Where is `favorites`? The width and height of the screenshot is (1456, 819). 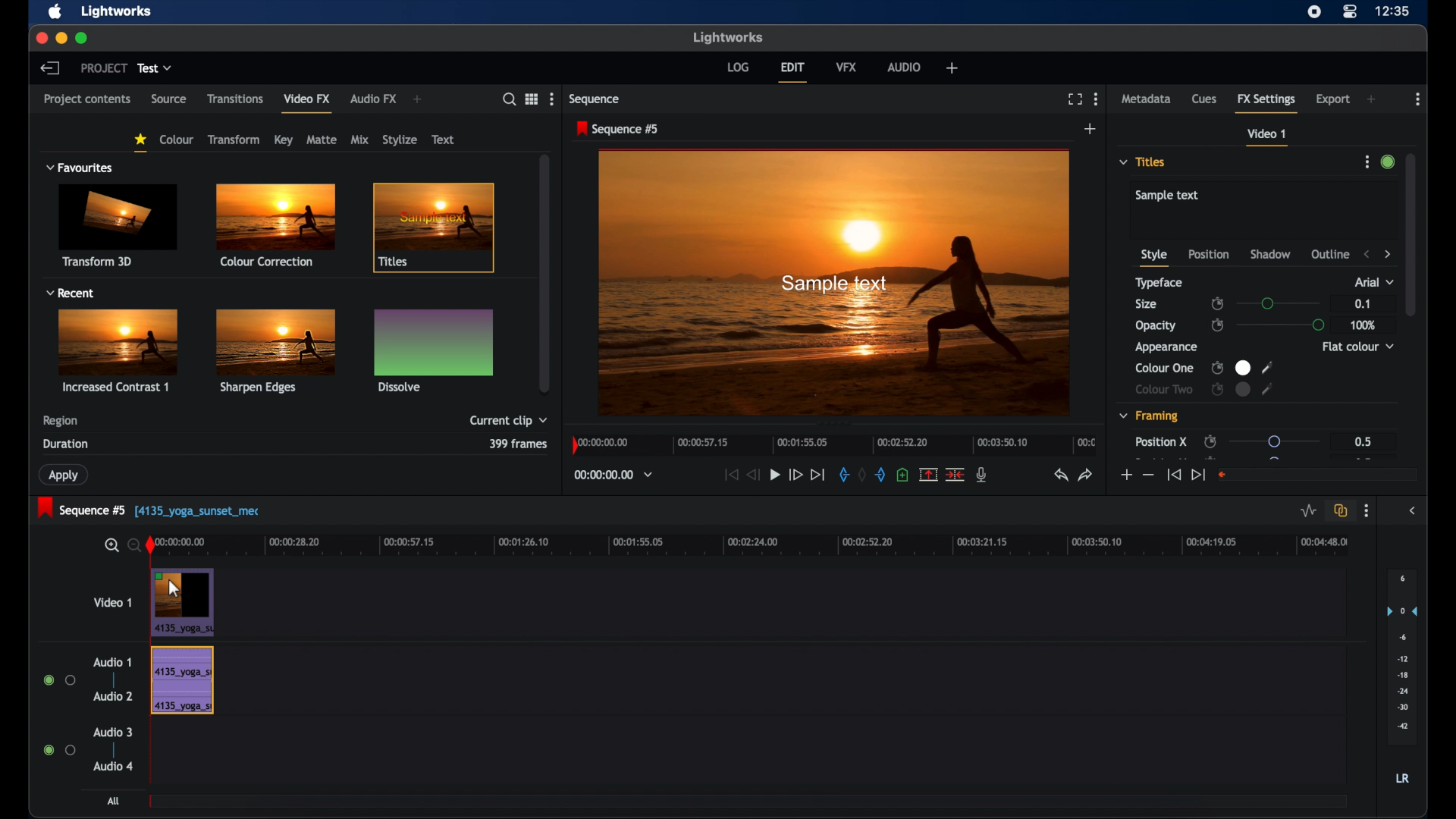
favorites is located at coordinates (140, 143).